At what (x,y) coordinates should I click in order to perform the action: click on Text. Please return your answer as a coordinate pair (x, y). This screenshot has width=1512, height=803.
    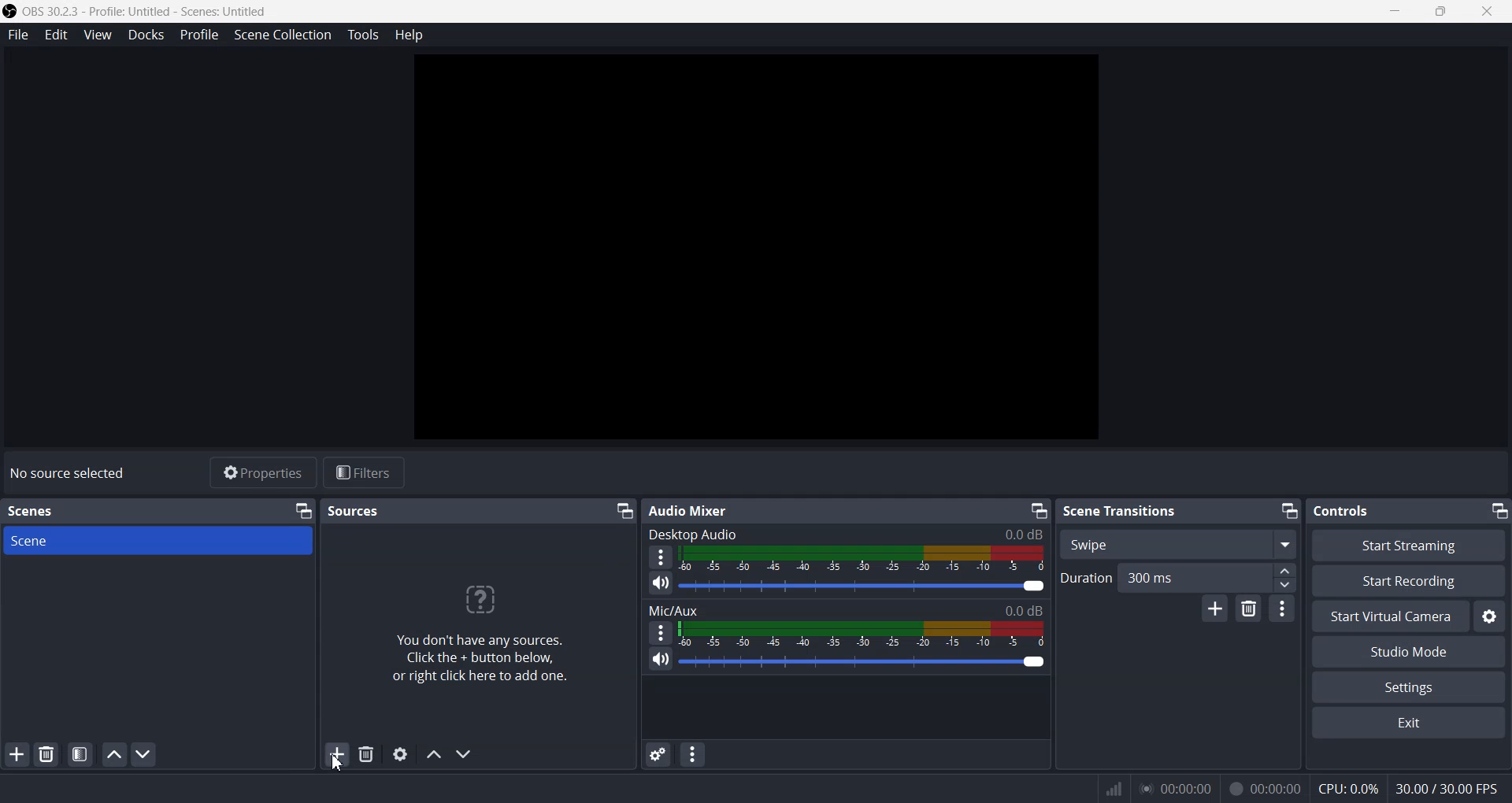
    Looking at the image, I should click on (846, 610).